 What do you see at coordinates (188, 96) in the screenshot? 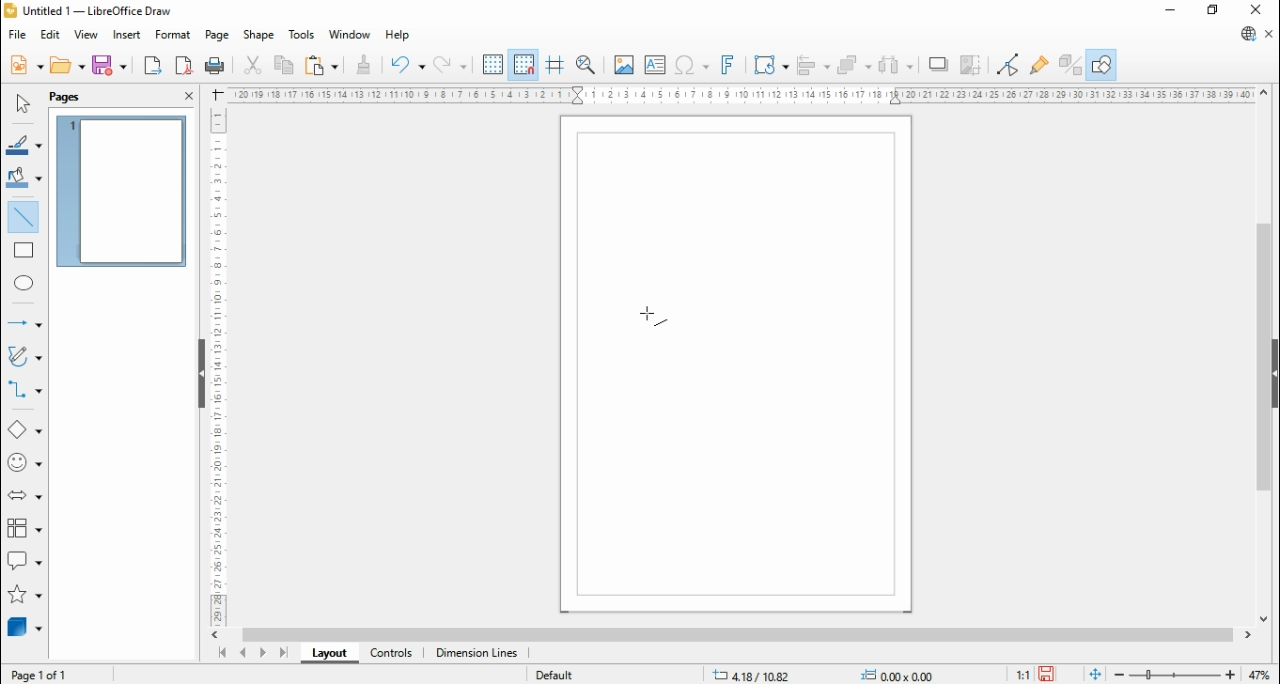
I see `close pane` at bounding box center [188, 96].